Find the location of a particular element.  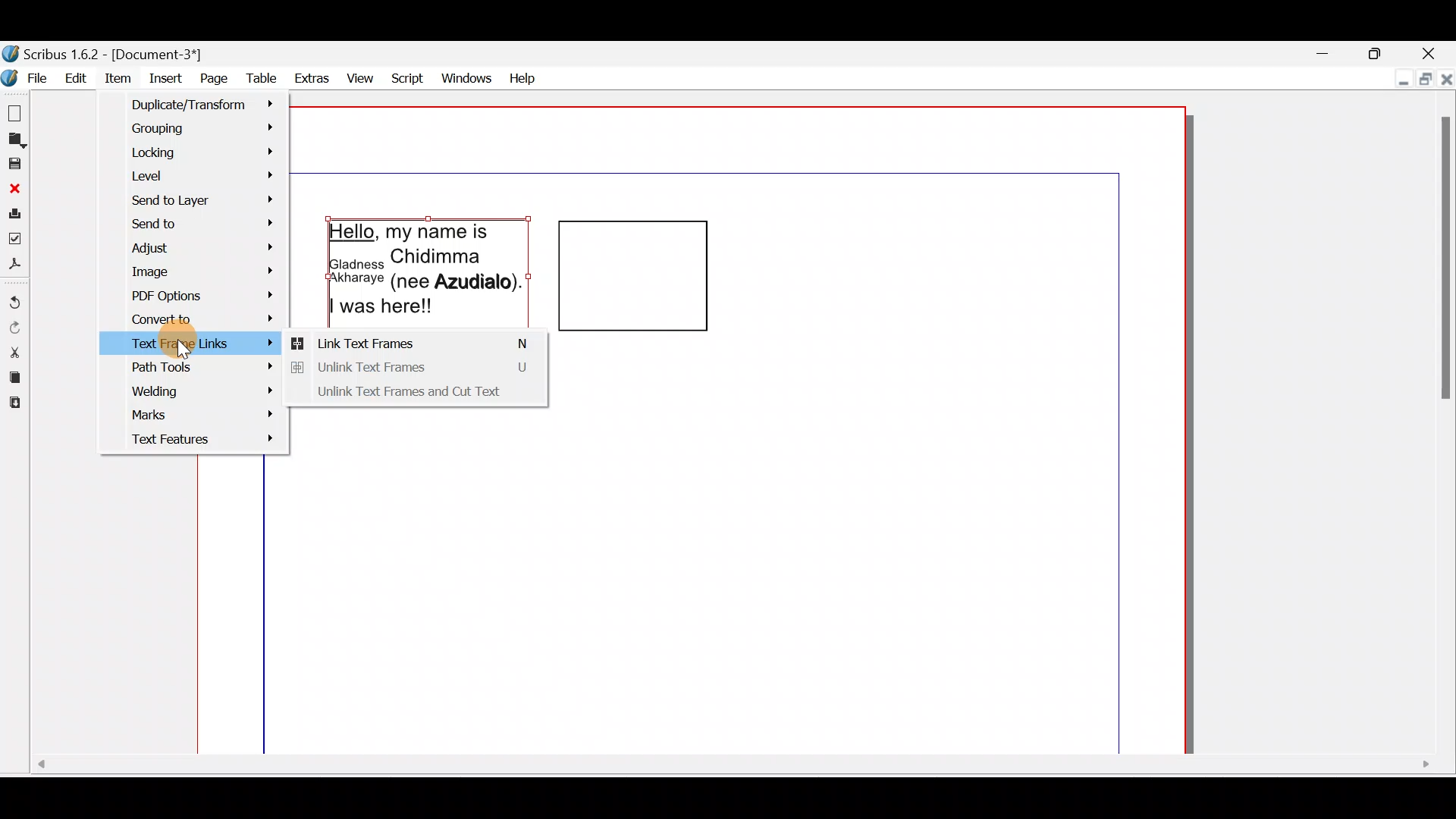

Print is located at coordinates (14, 212).